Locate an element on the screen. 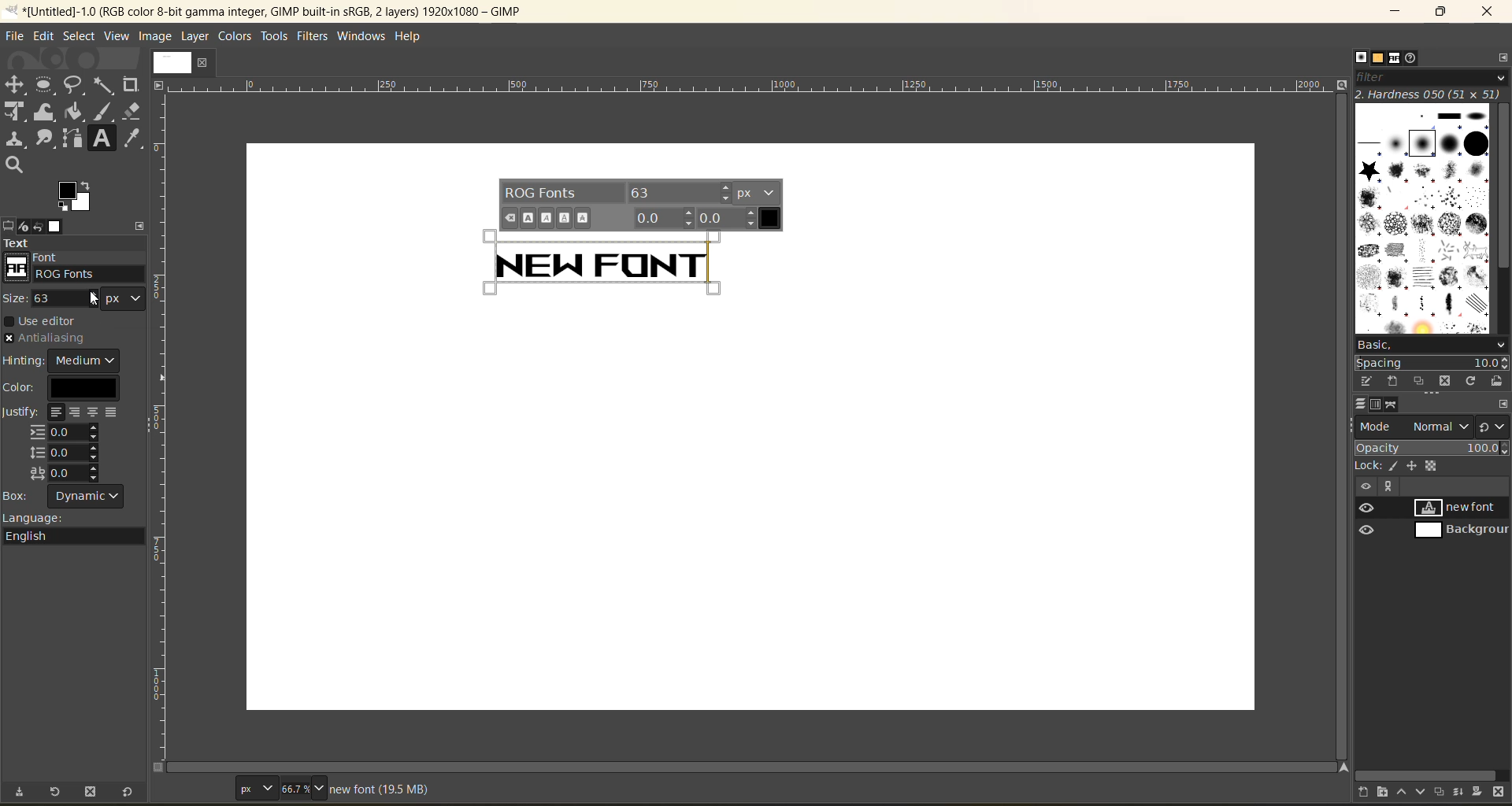  patterns is located at coordinates (1382, 58).